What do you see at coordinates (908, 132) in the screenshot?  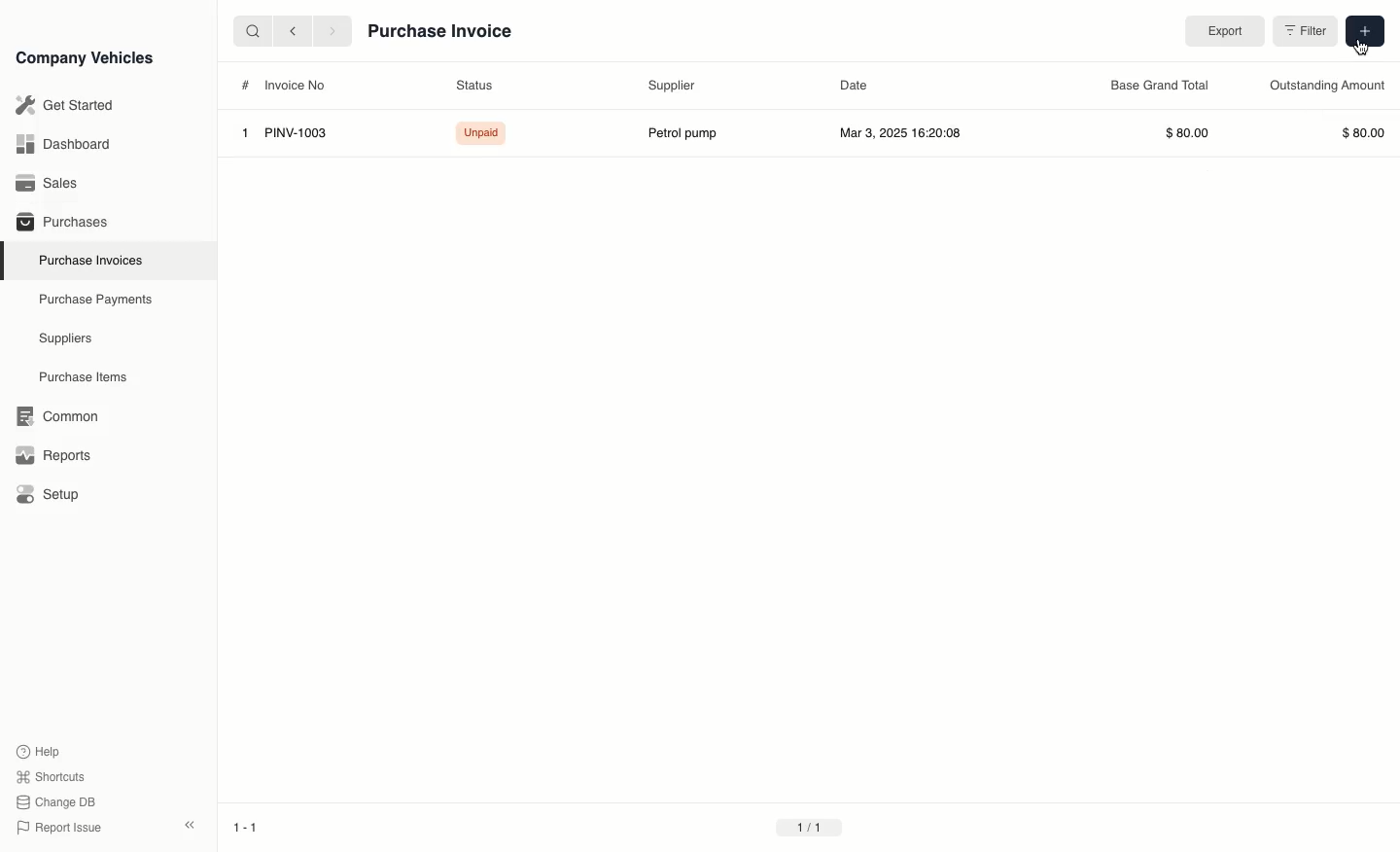 I see `Mar 3, 2025 16:20:08` at bounding box center [908, 132].